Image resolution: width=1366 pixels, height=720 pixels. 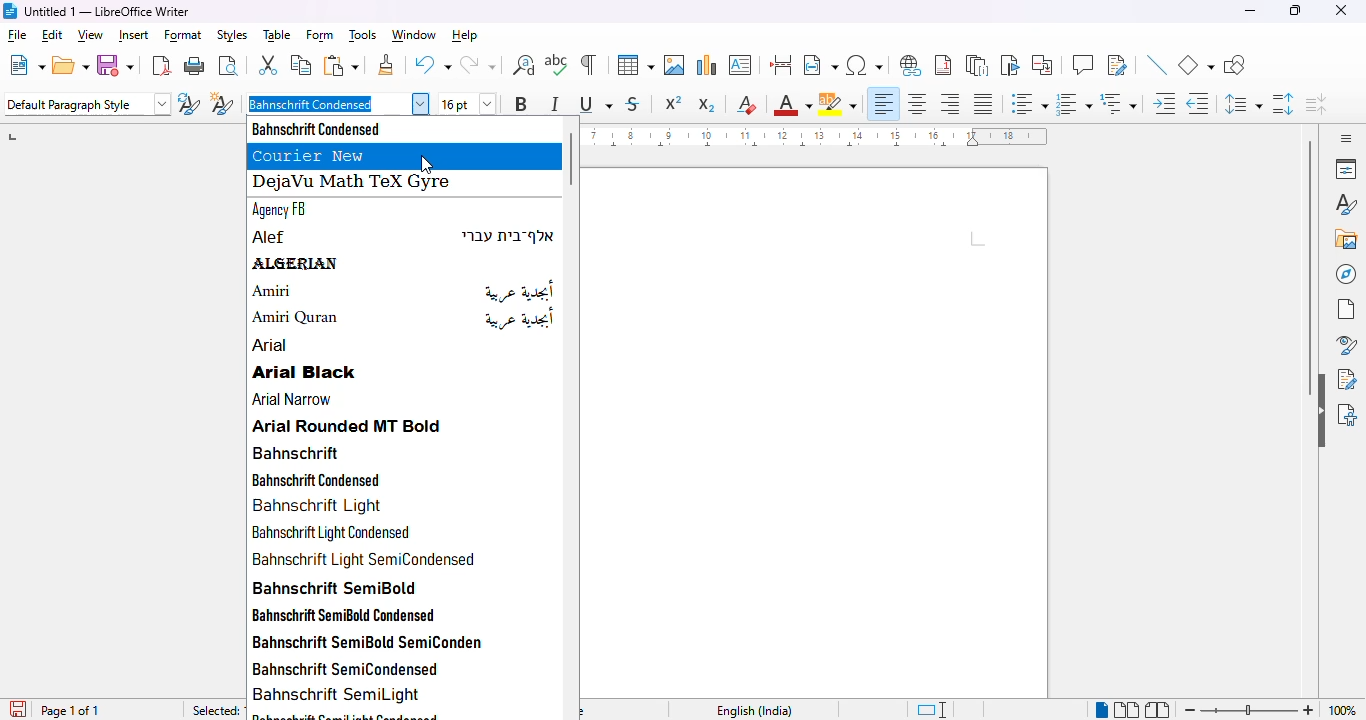 What do you see at coordinates (1310, 270) in the screenshot?
I see `vertical scroll bar` at bounding box center [1310, 270].